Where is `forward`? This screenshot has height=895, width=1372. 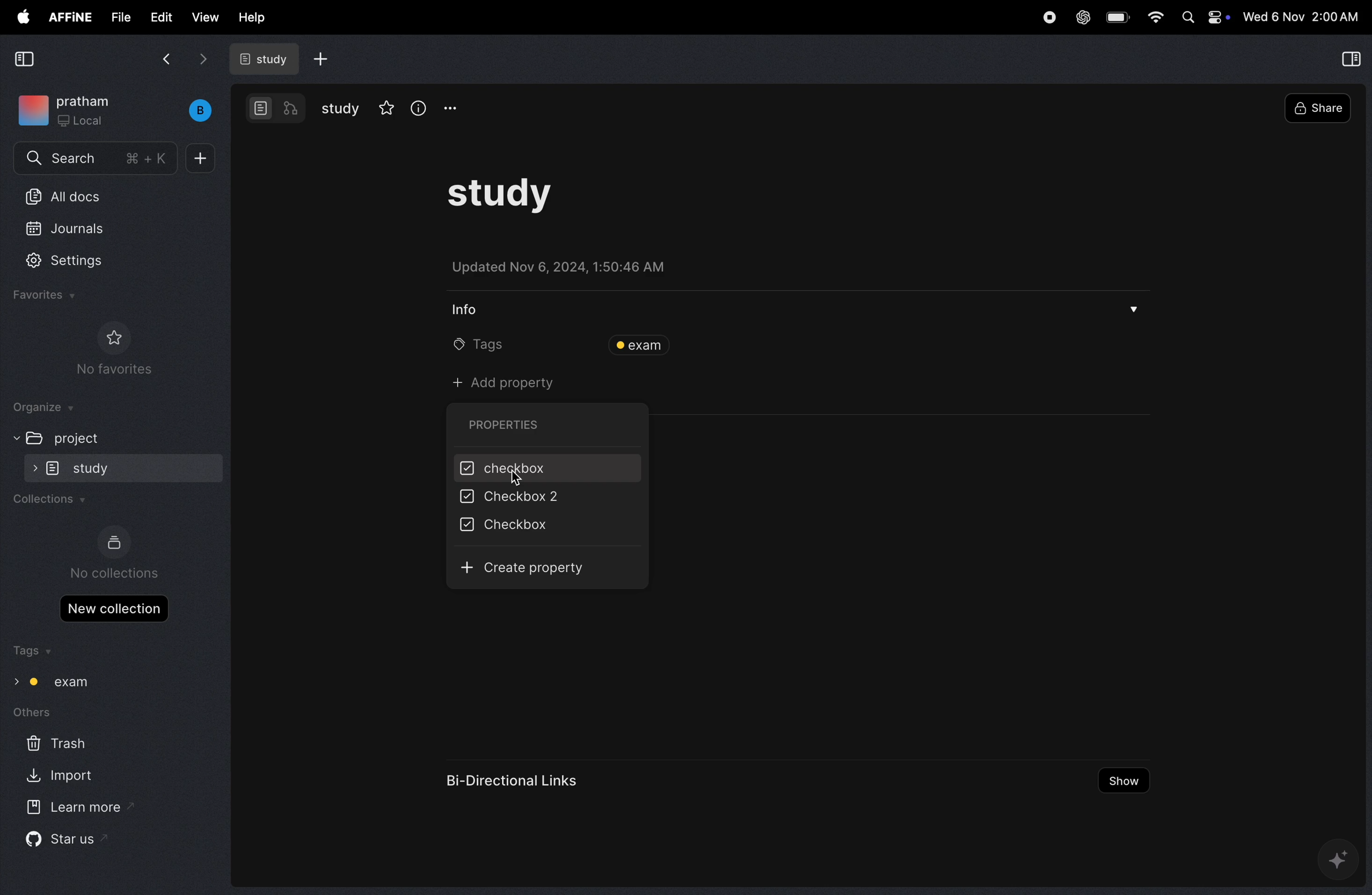 forward is located at coordinates (203, 61).